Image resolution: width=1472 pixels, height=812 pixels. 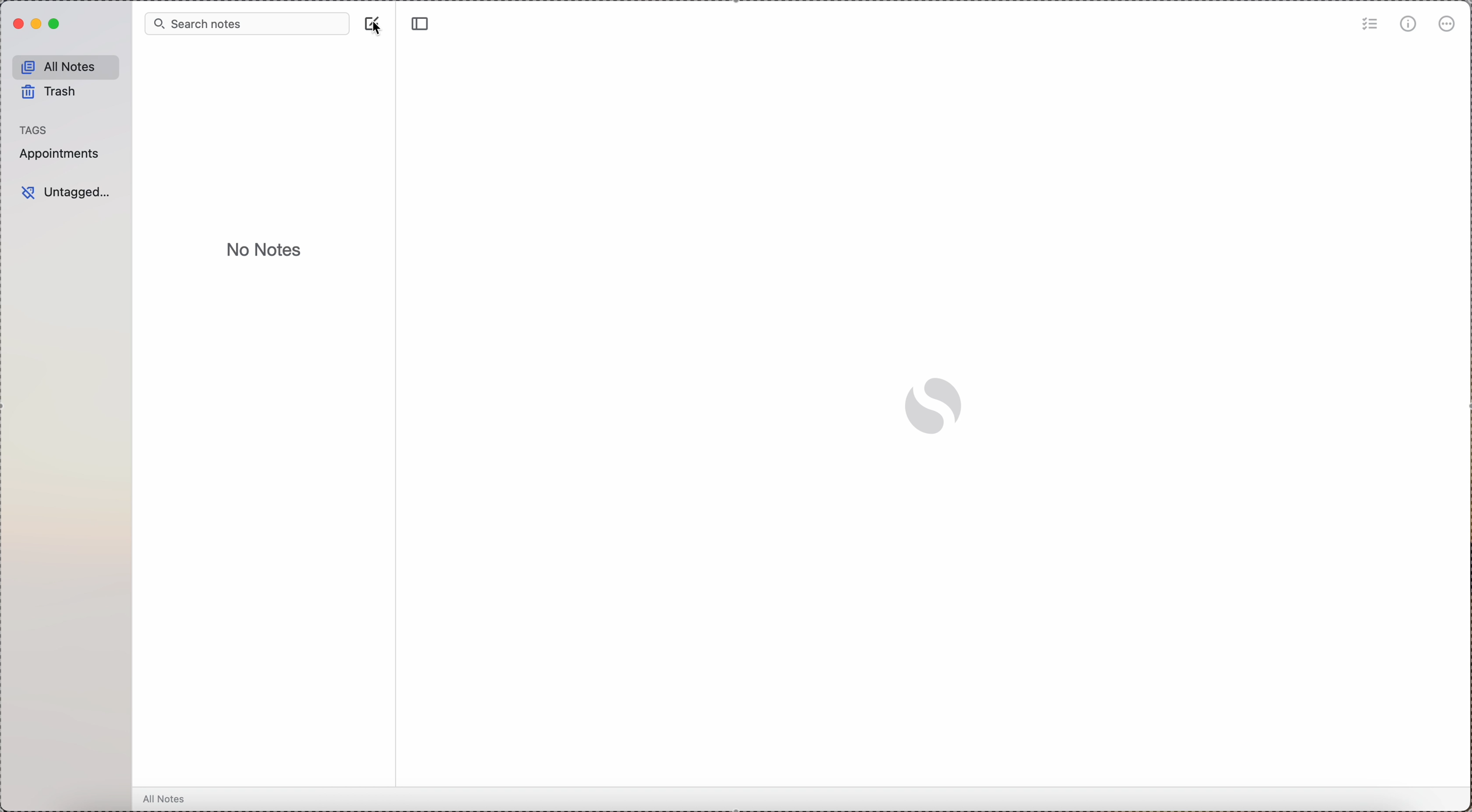 What do you see at coordinates (377, 31) in the screenshot?
I see `cursor` at bounding box center [377, 31].